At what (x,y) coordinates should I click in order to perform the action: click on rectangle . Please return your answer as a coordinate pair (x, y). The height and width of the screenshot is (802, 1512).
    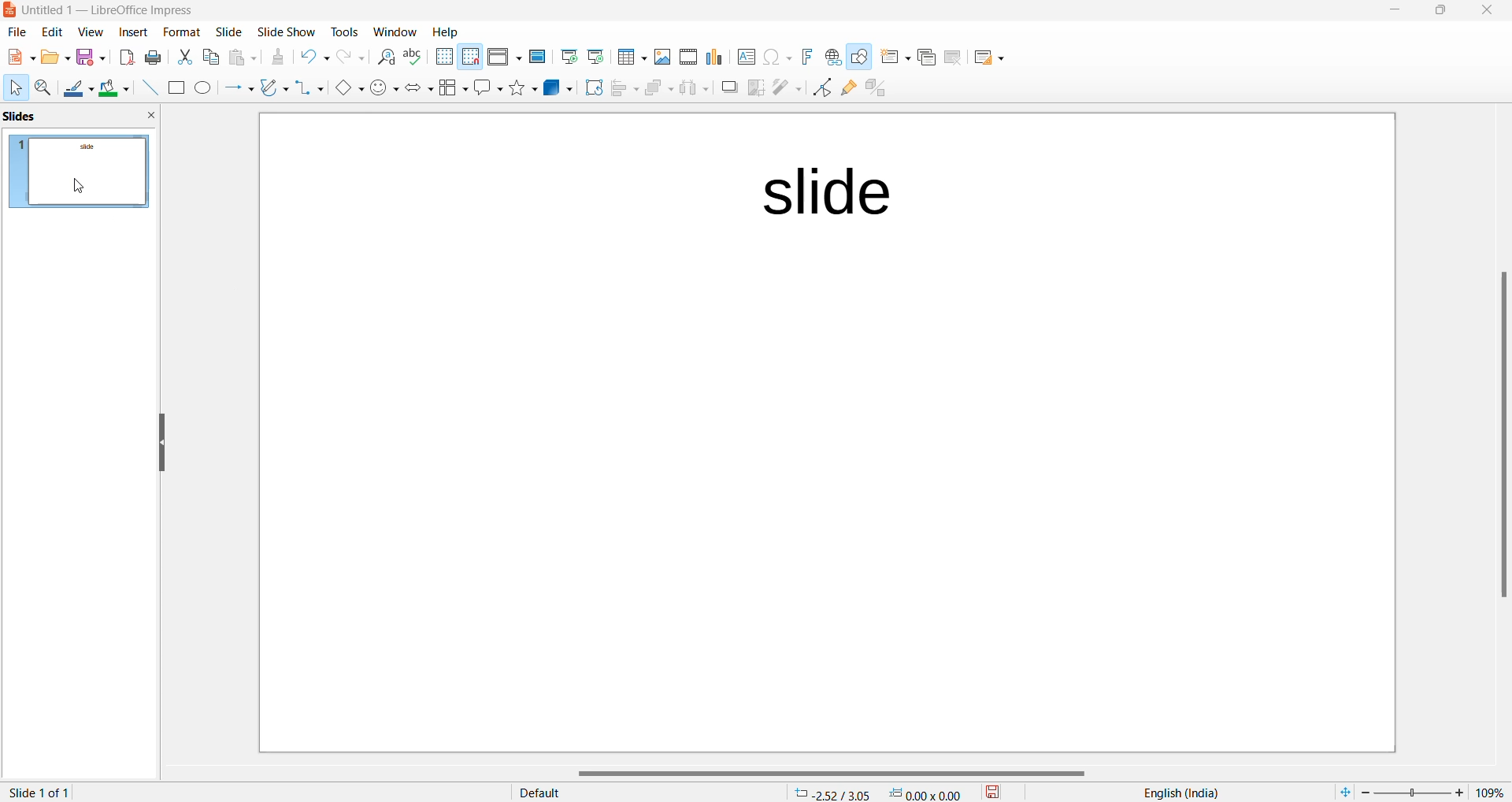
    Looking at the image, I should click on (176, 87).